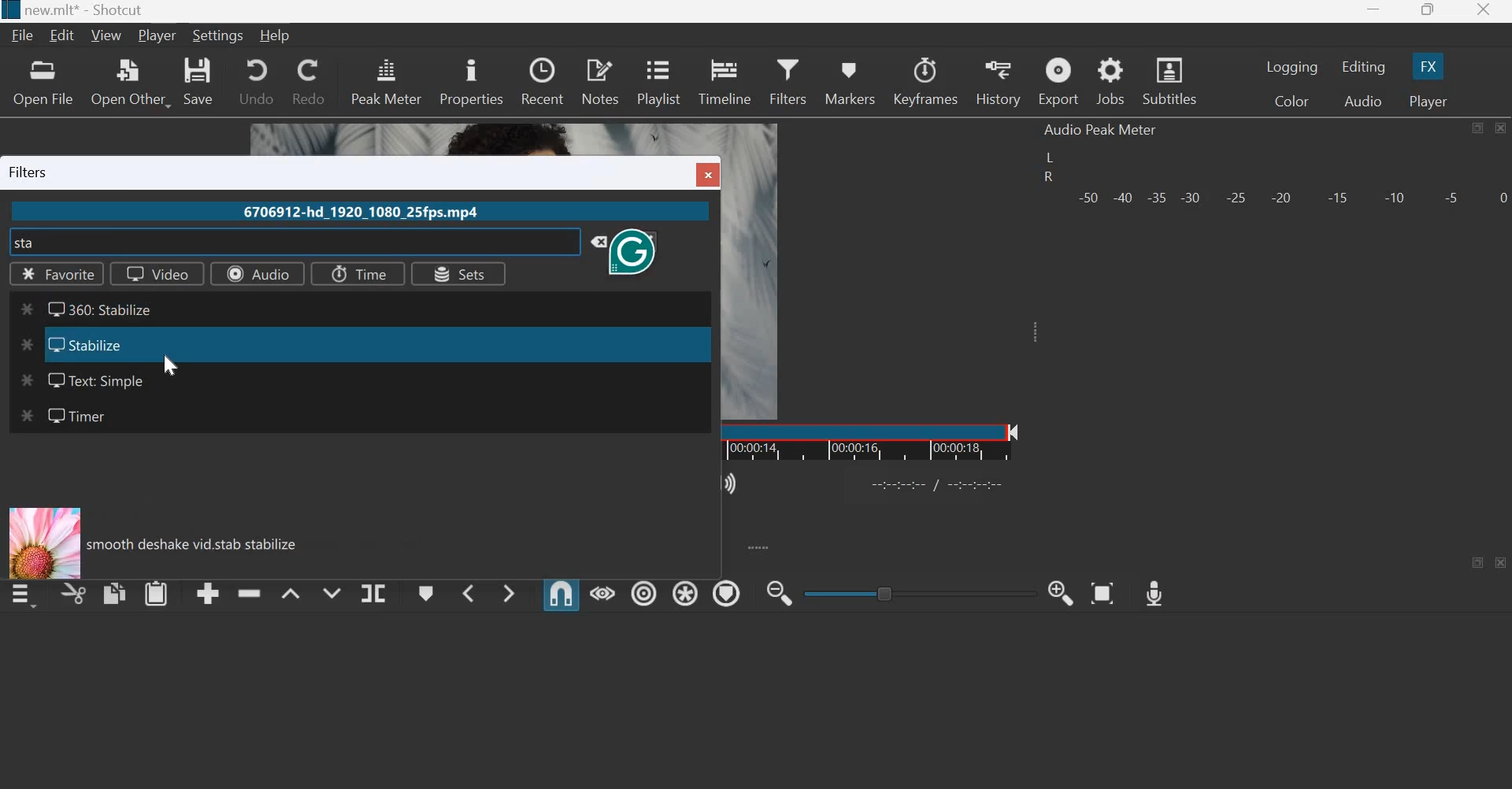 This screenshot has width=1512, height=789. I want to click on Favorite, so click(61, 273).